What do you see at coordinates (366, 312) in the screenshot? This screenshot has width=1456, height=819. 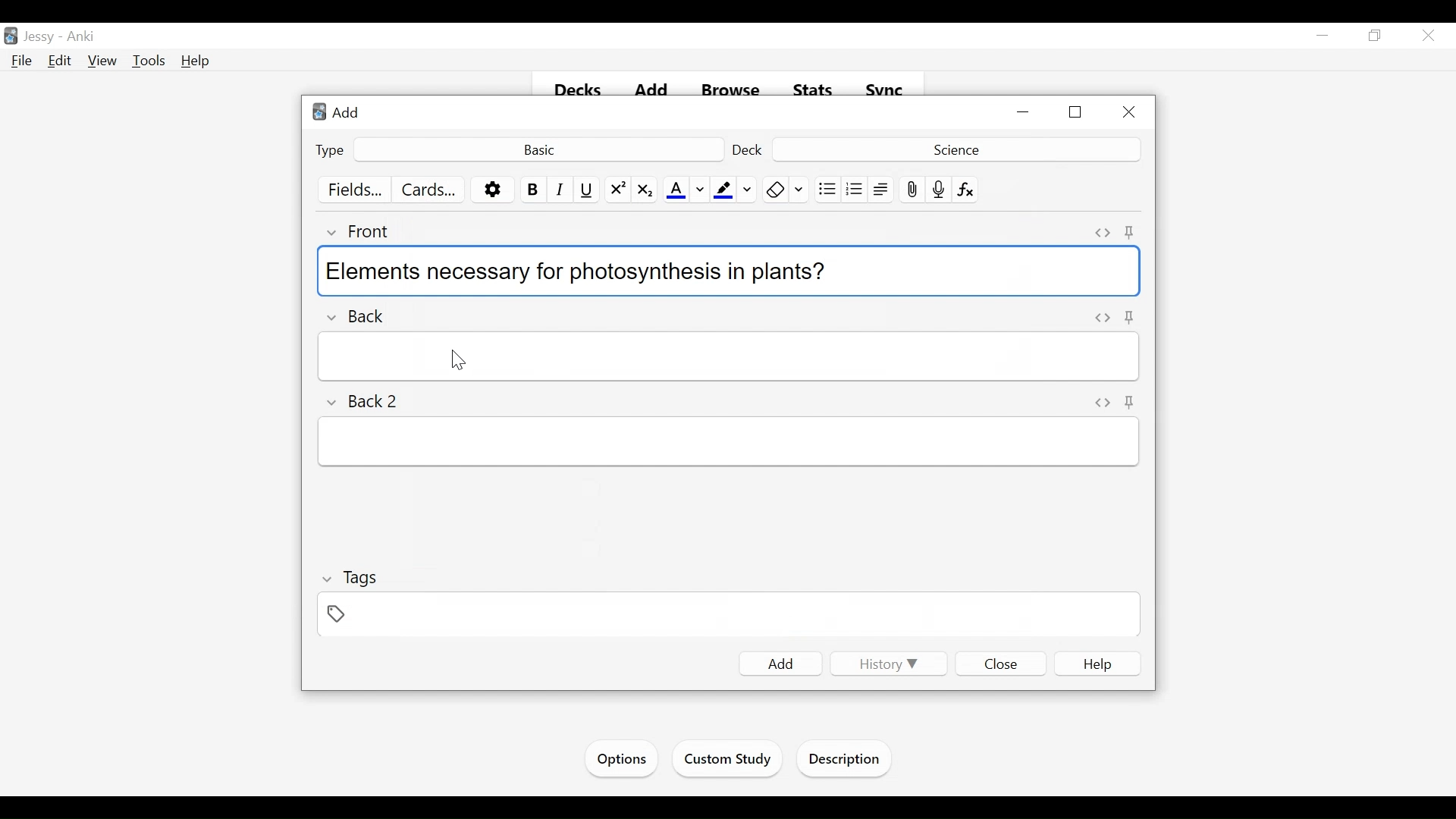 I see `Back ` at bounding box center [366, 312].